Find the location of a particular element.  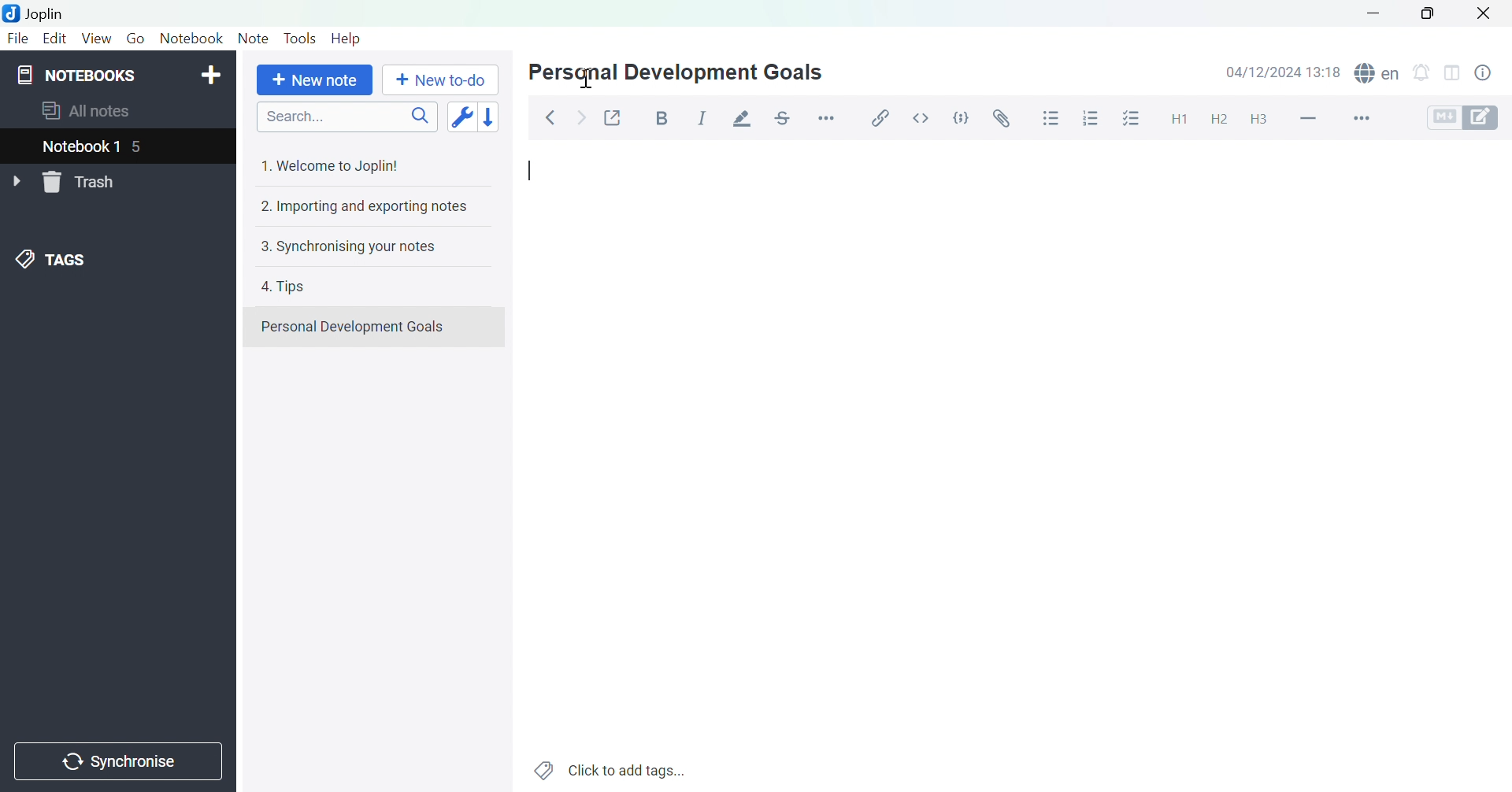

Forward is located at coordinates (580, 116).